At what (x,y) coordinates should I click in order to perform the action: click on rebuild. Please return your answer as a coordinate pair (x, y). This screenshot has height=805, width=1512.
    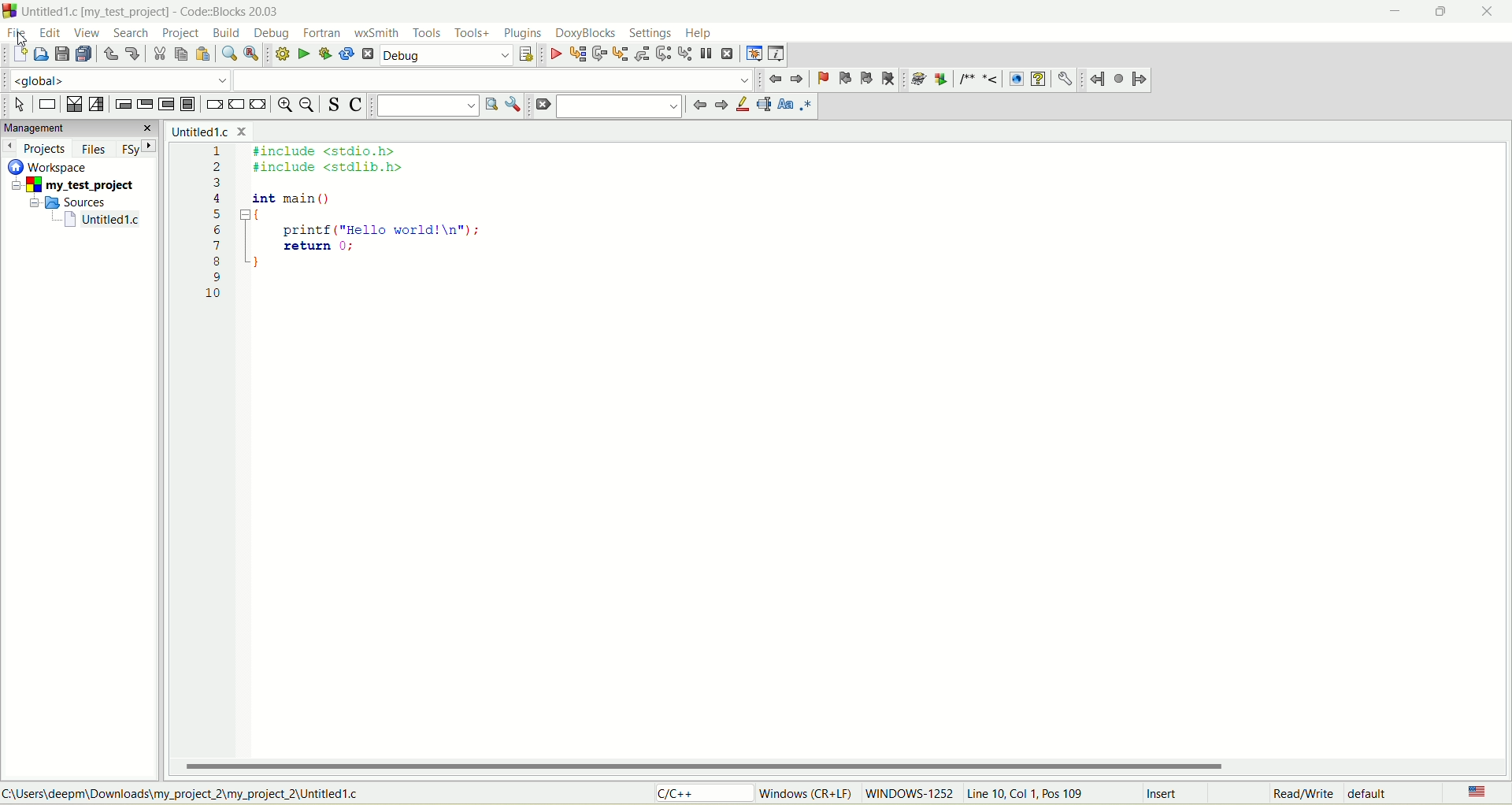
    Looking at the image, I should click on (346, 55).